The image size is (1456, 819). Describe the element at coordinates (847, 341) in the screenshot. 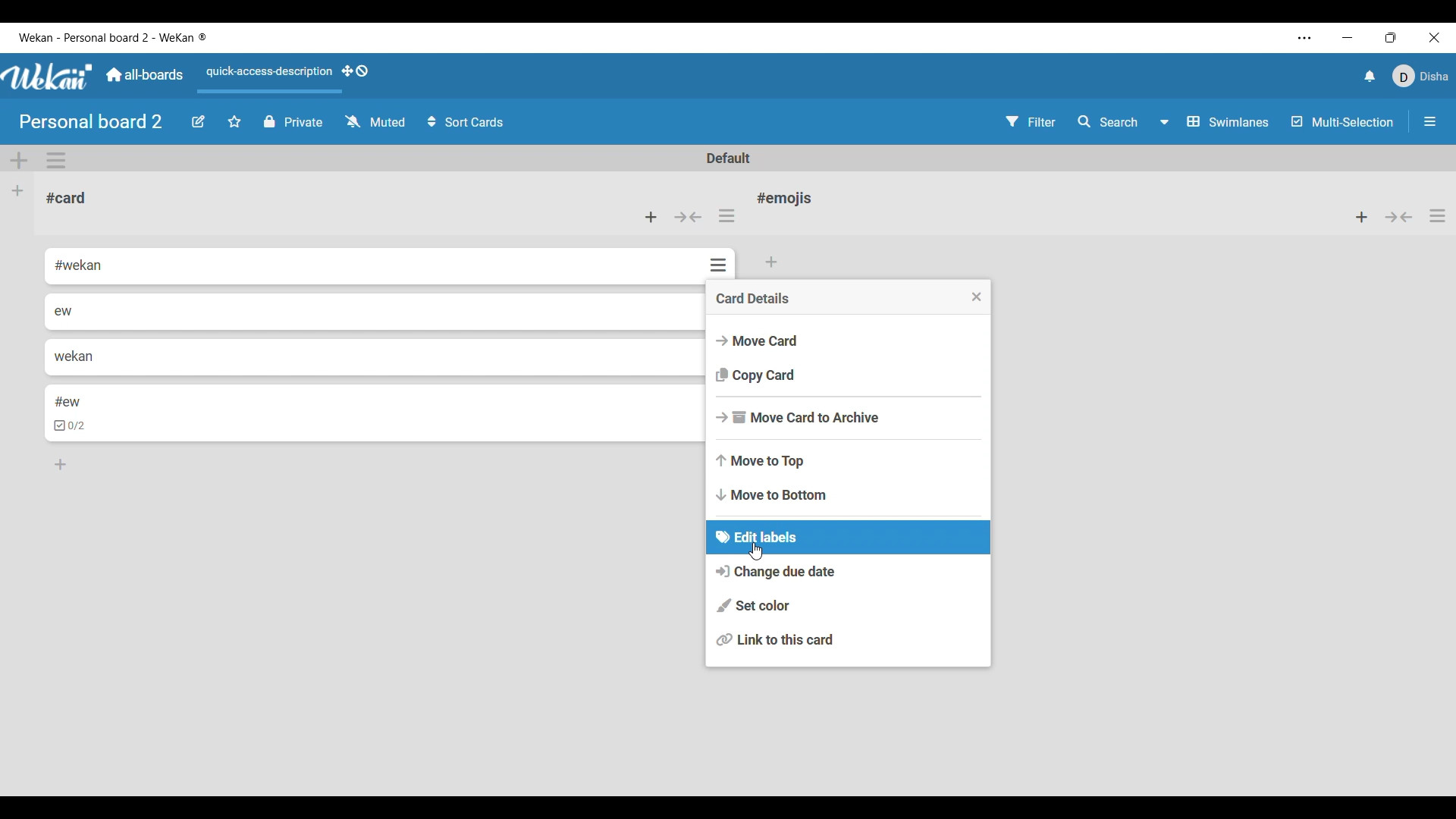

I see `Move card` at that location.